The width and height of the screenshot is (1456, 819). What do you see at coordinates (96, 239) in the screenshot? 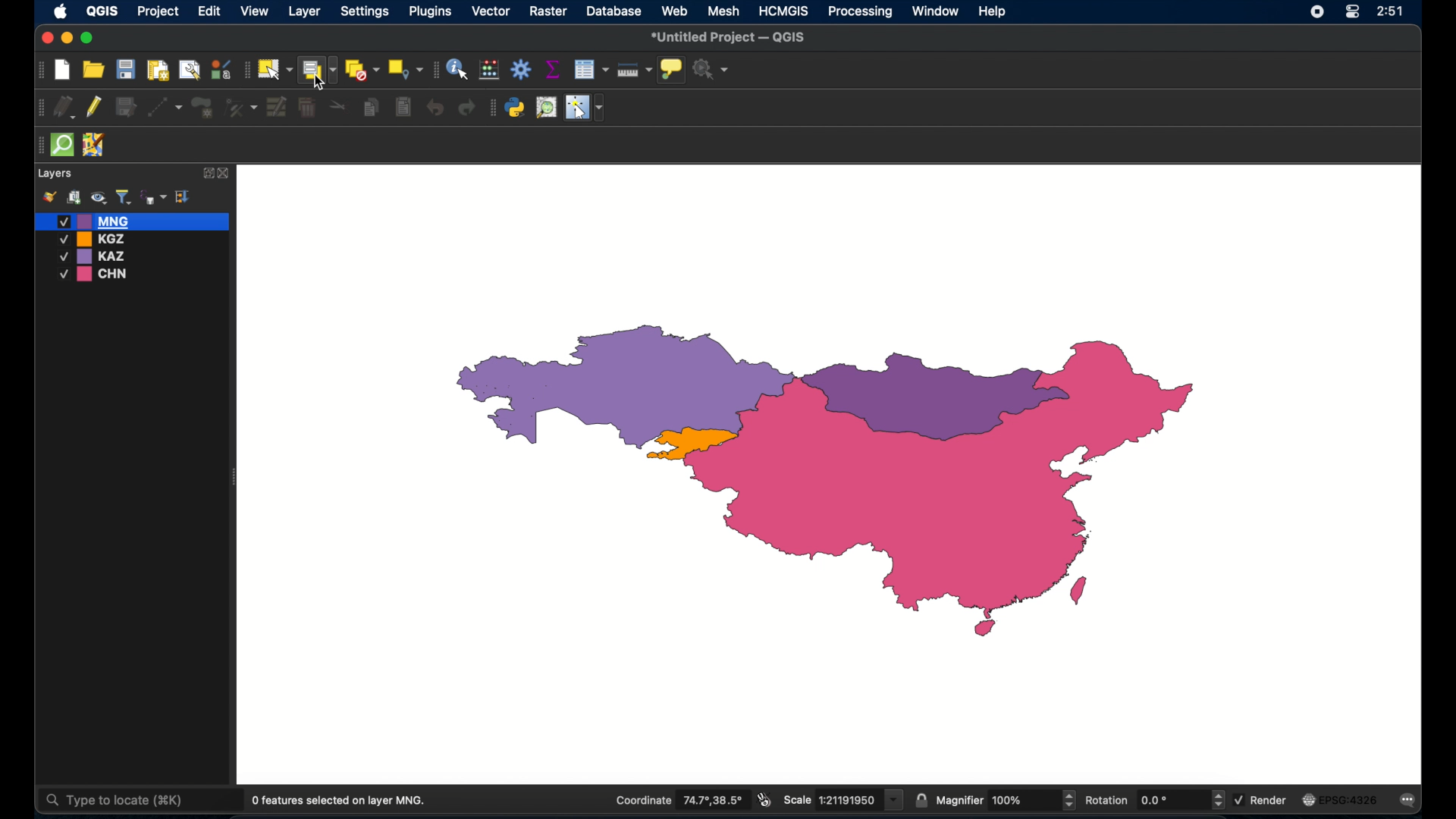
I see `KGZ` at bounding box center [96, 239].